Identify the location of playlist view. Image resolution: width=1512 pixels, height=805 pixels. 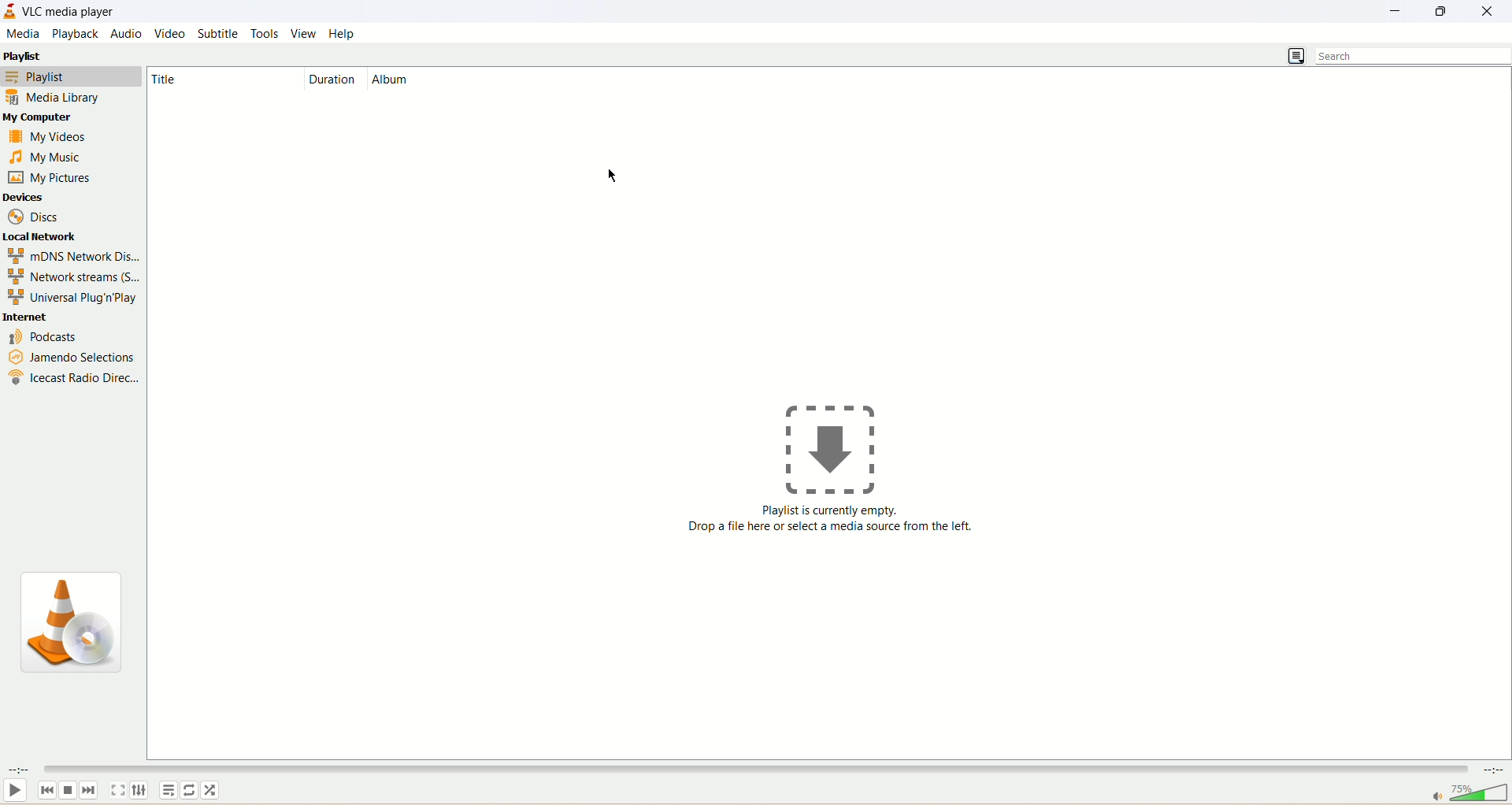
(1298, 57).